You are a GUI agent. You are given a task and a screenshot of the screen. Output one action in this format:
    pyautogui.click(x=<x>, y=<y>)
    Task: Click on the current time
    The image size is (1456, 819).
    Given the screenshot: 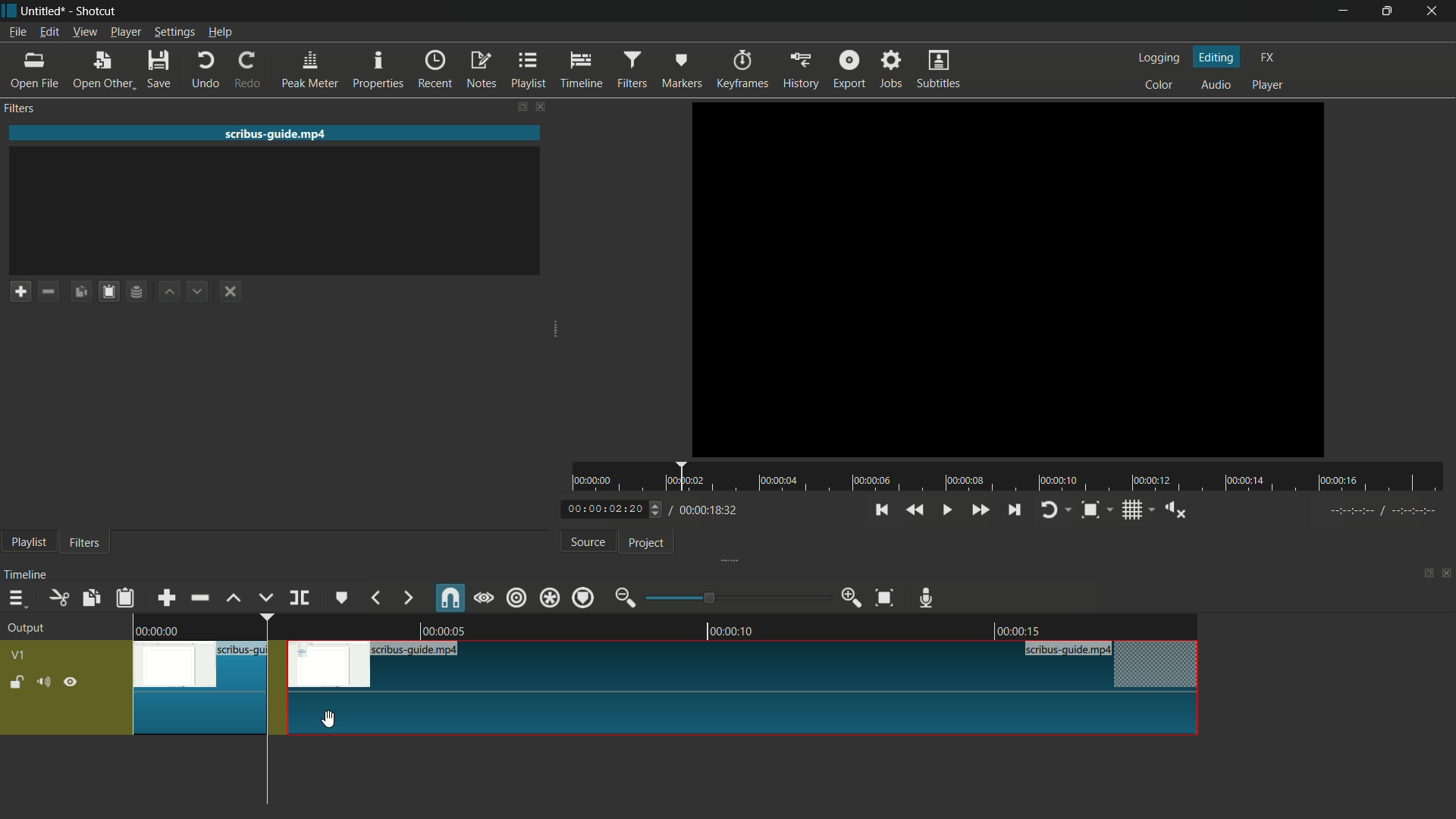 What is the action you would take?
    pyautogui.click(x=603, y=510)
    